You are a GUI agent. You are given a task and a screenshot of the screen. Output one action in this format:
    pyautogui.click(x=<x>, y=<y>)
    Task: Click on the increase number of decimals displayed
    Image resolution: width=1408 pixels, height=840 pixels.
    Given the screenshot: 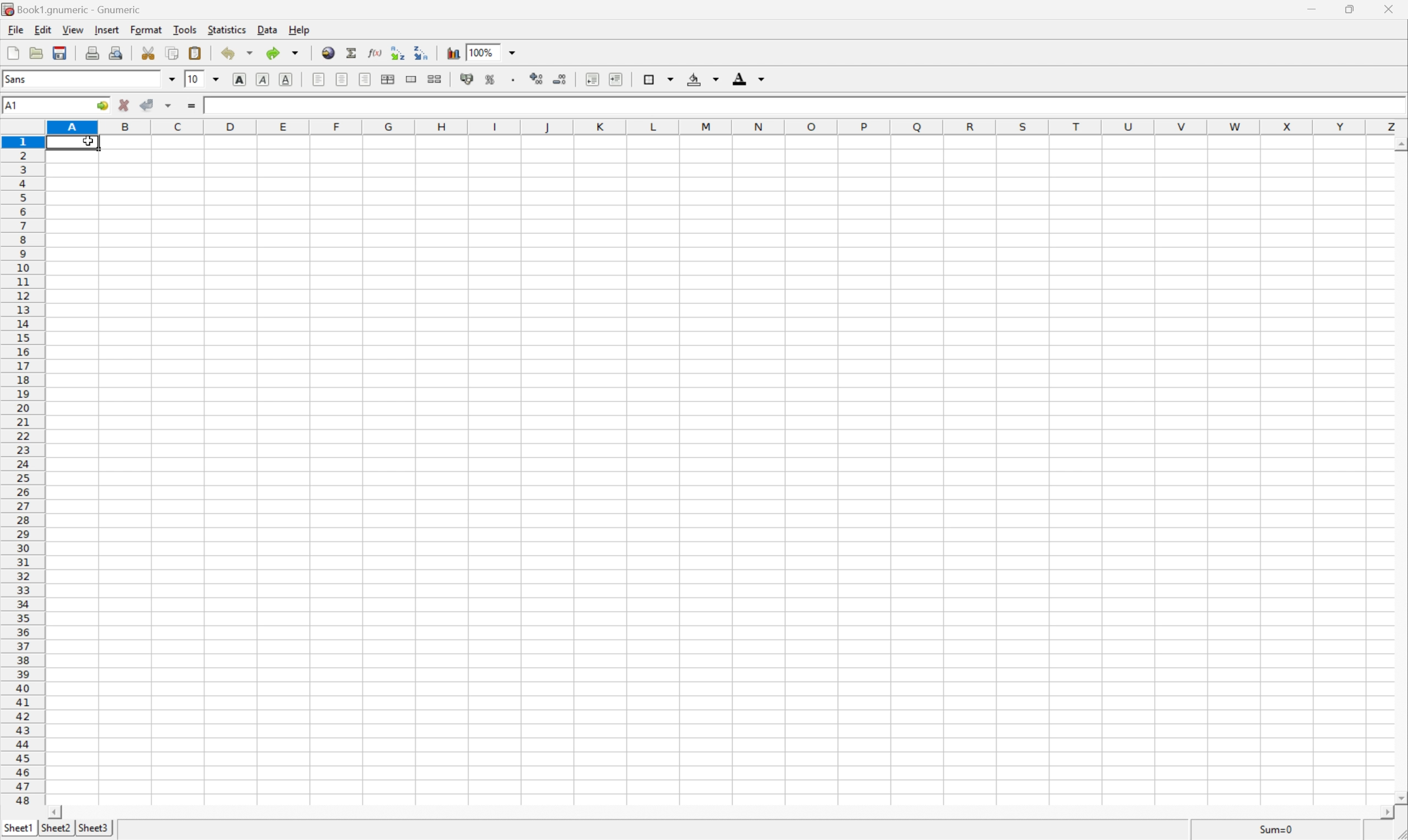 What is the action you would take?
    pyautogui.click(x=538, y=79)
    